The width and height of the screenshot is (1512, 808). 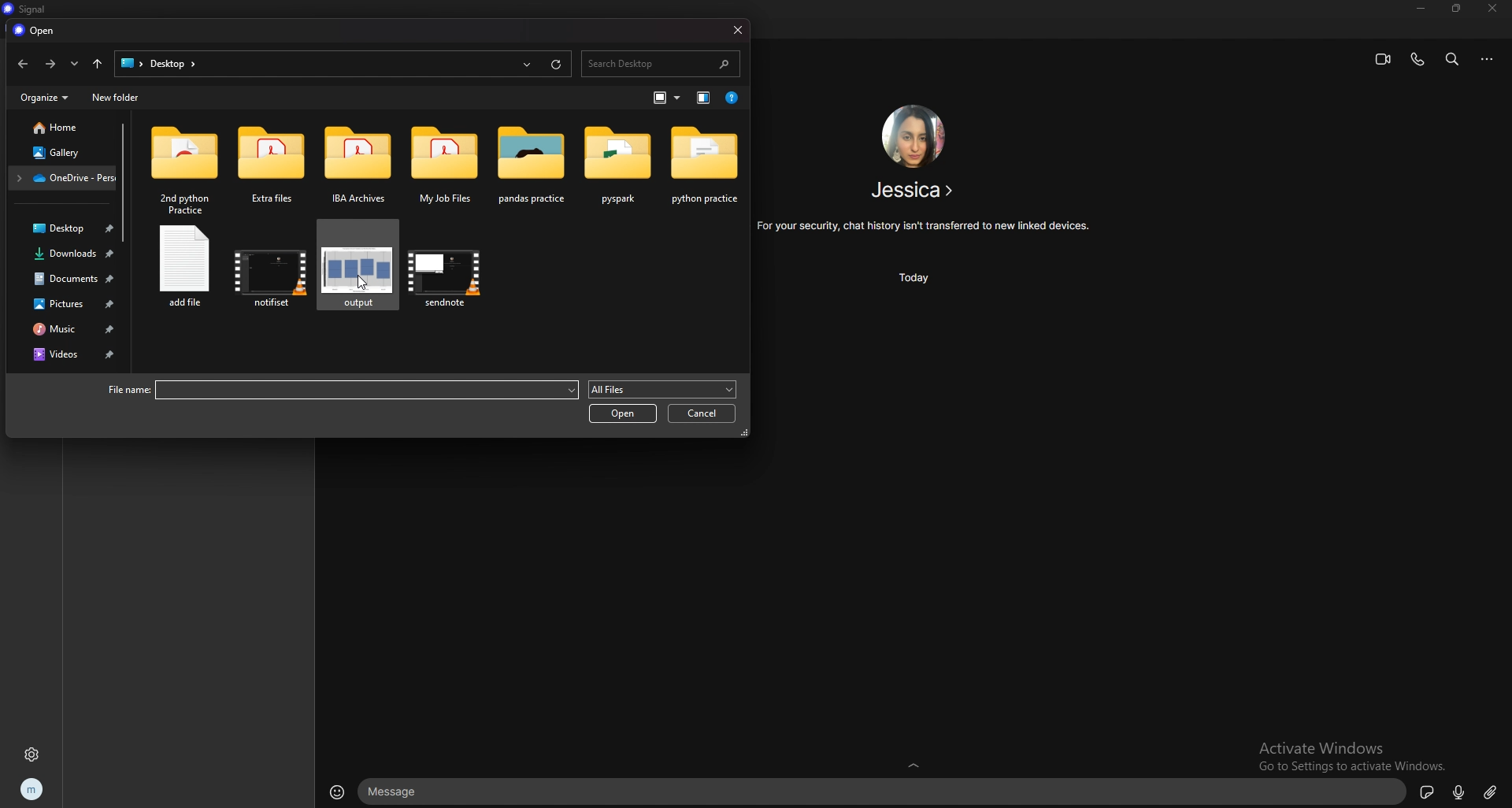 I want to click on time, so click(x=913, y=278).